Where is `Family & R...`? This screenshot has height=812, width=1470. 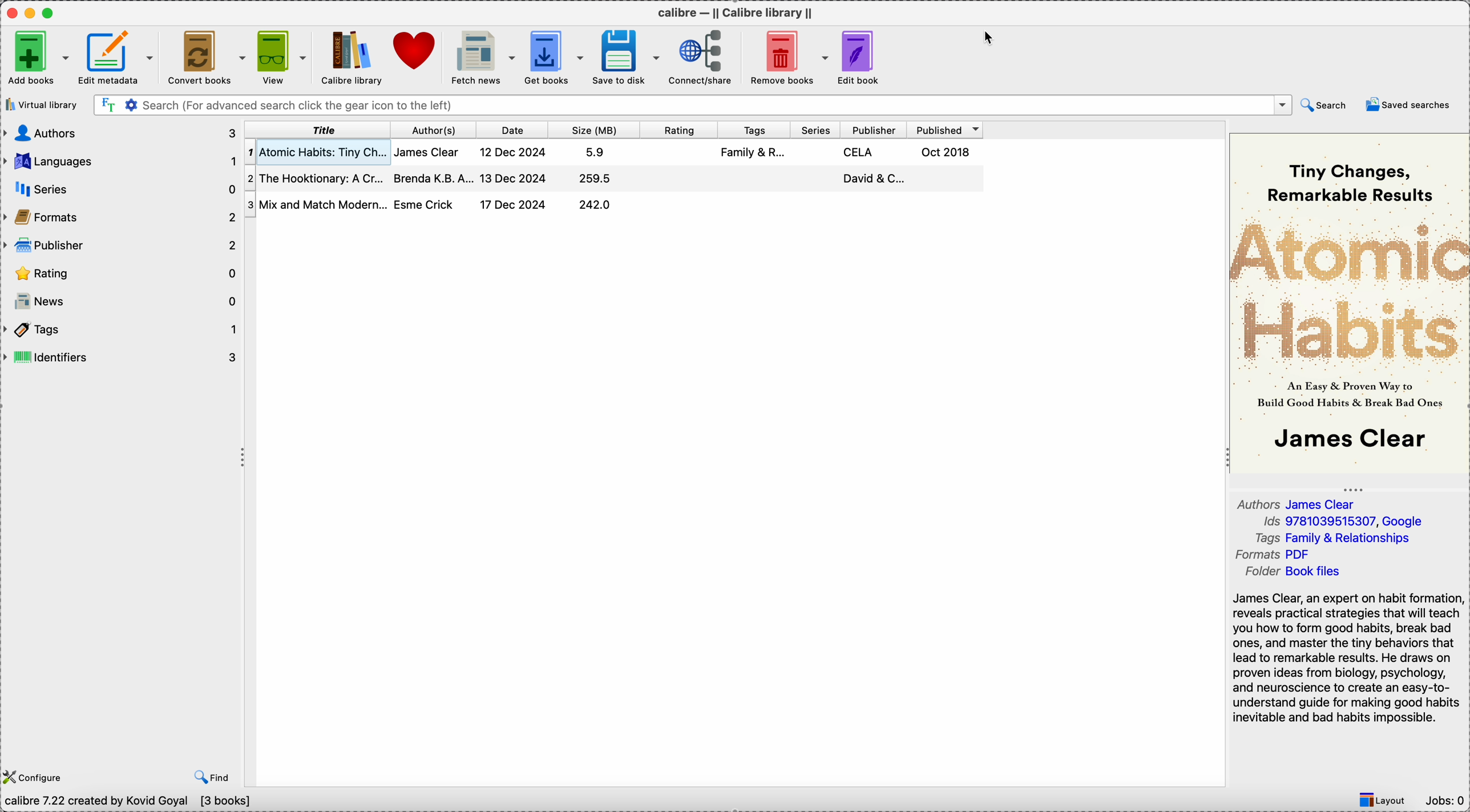 Family & R... is located at coordinates (756, 154).